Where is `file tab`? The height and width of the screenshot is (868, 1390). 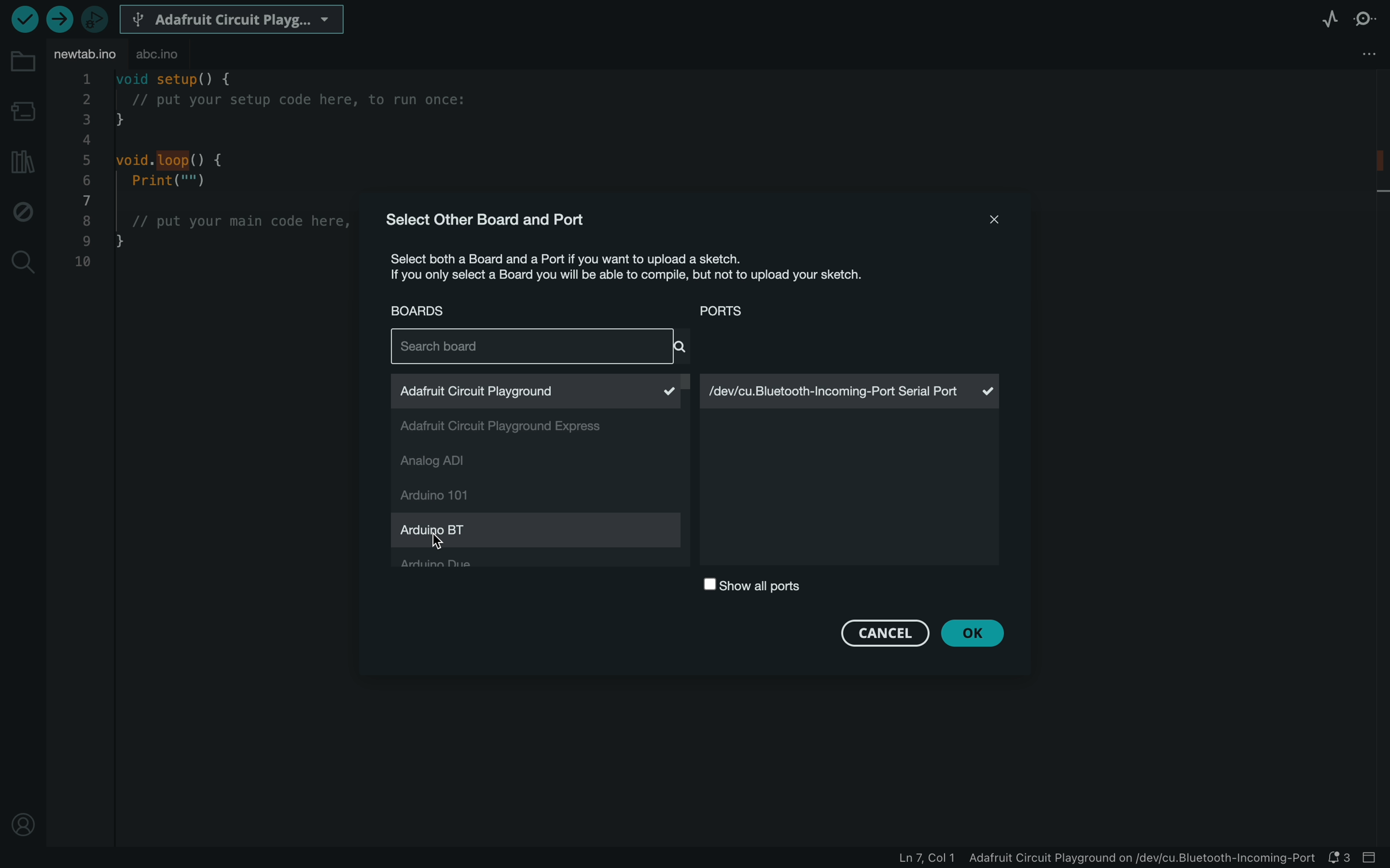 file tab is located at coordinates (86, 55).